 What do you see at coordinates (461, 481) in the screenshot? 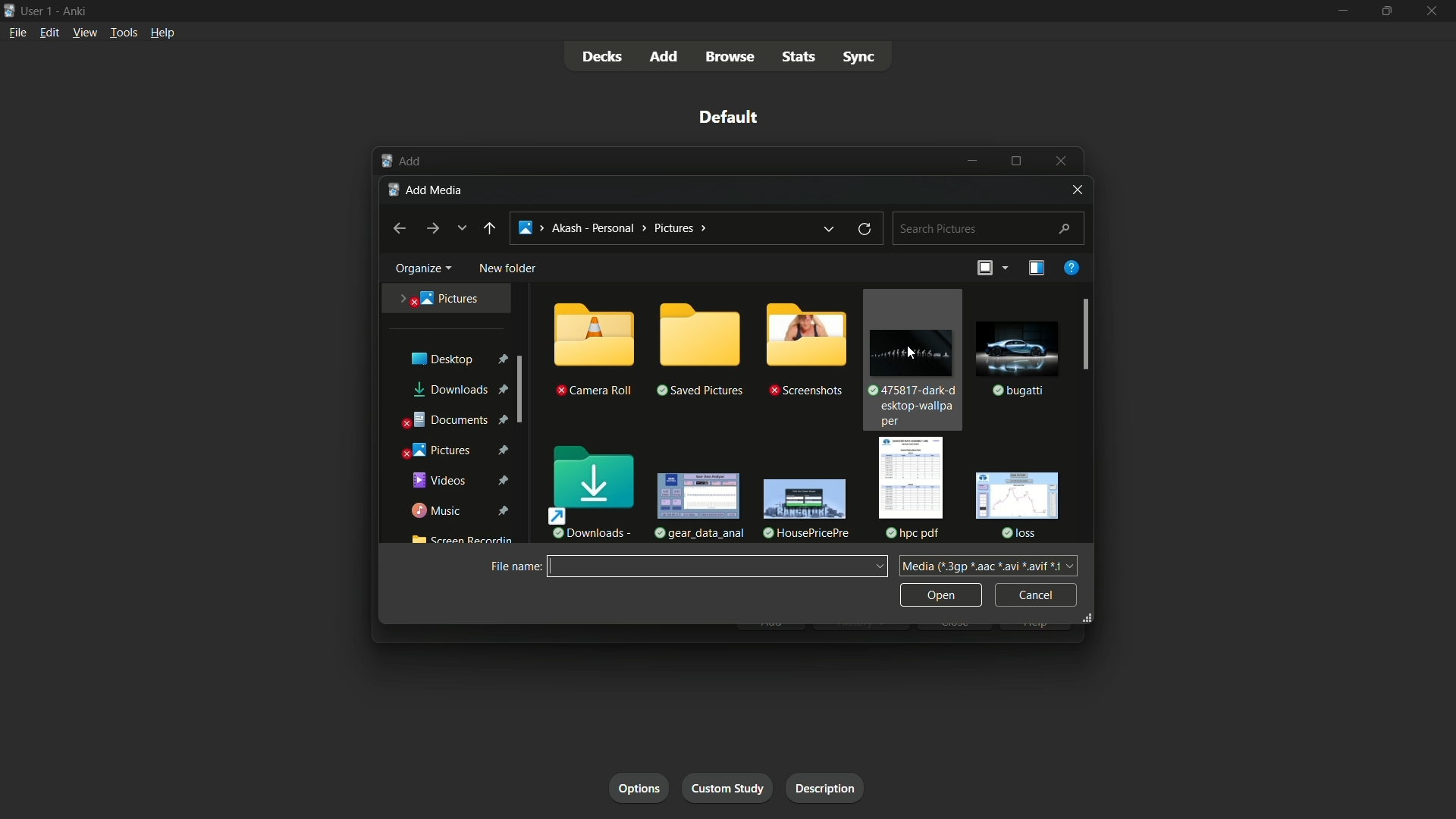
I see `videos` at bounding box center [461, 481].